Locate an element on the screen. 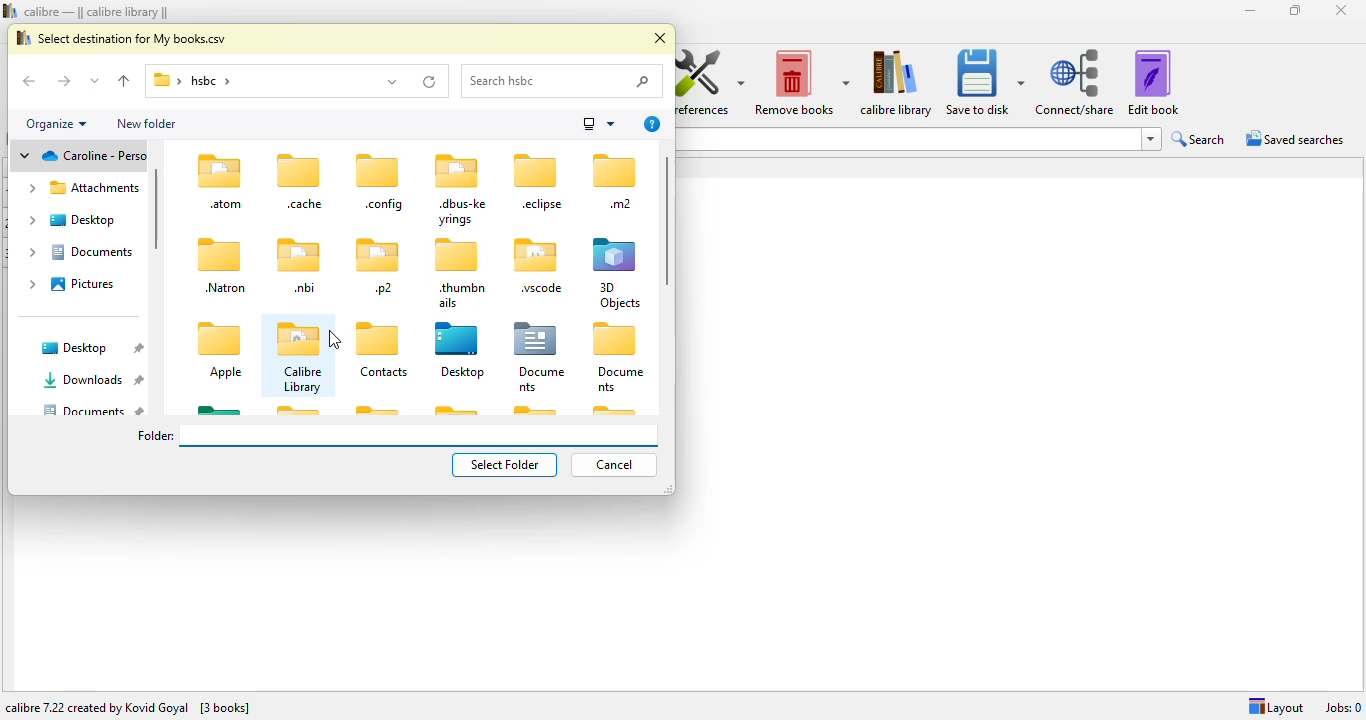  get help is located at coordinates (653, 124).